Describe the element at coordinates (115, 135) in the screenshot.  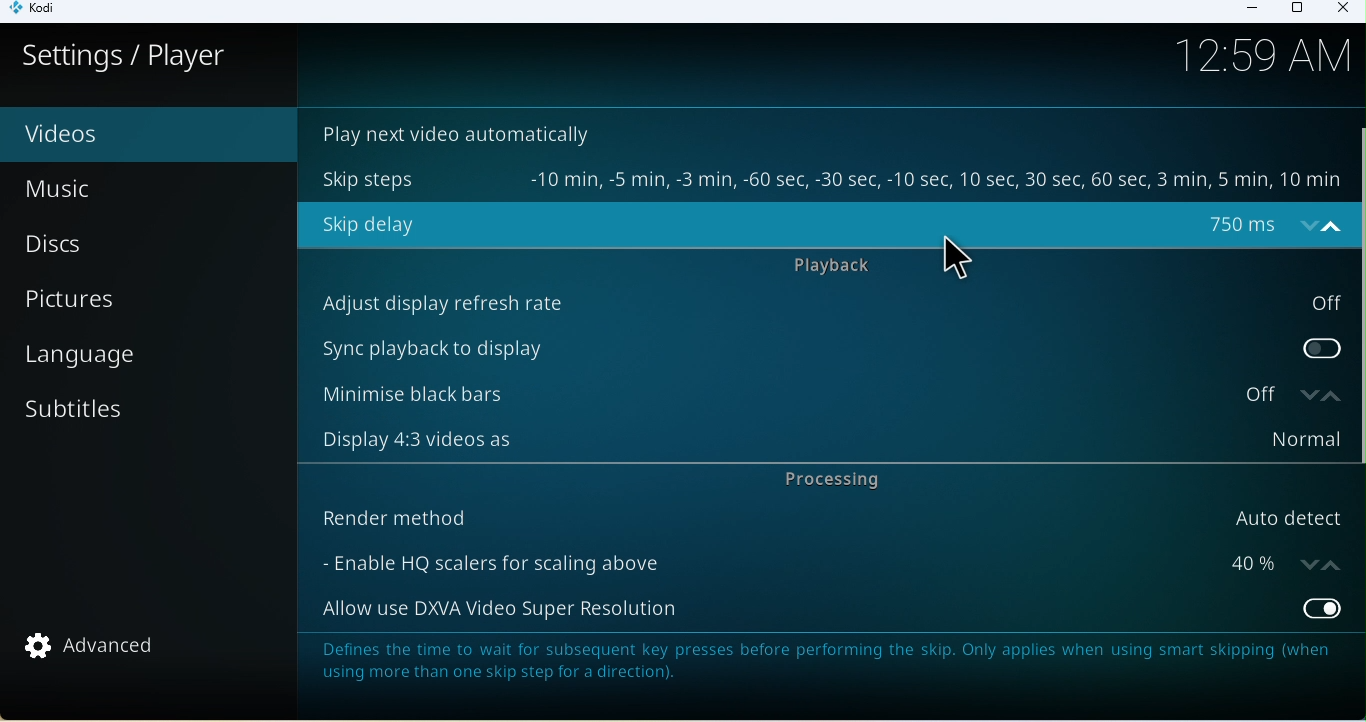
I see `Video` at that location.